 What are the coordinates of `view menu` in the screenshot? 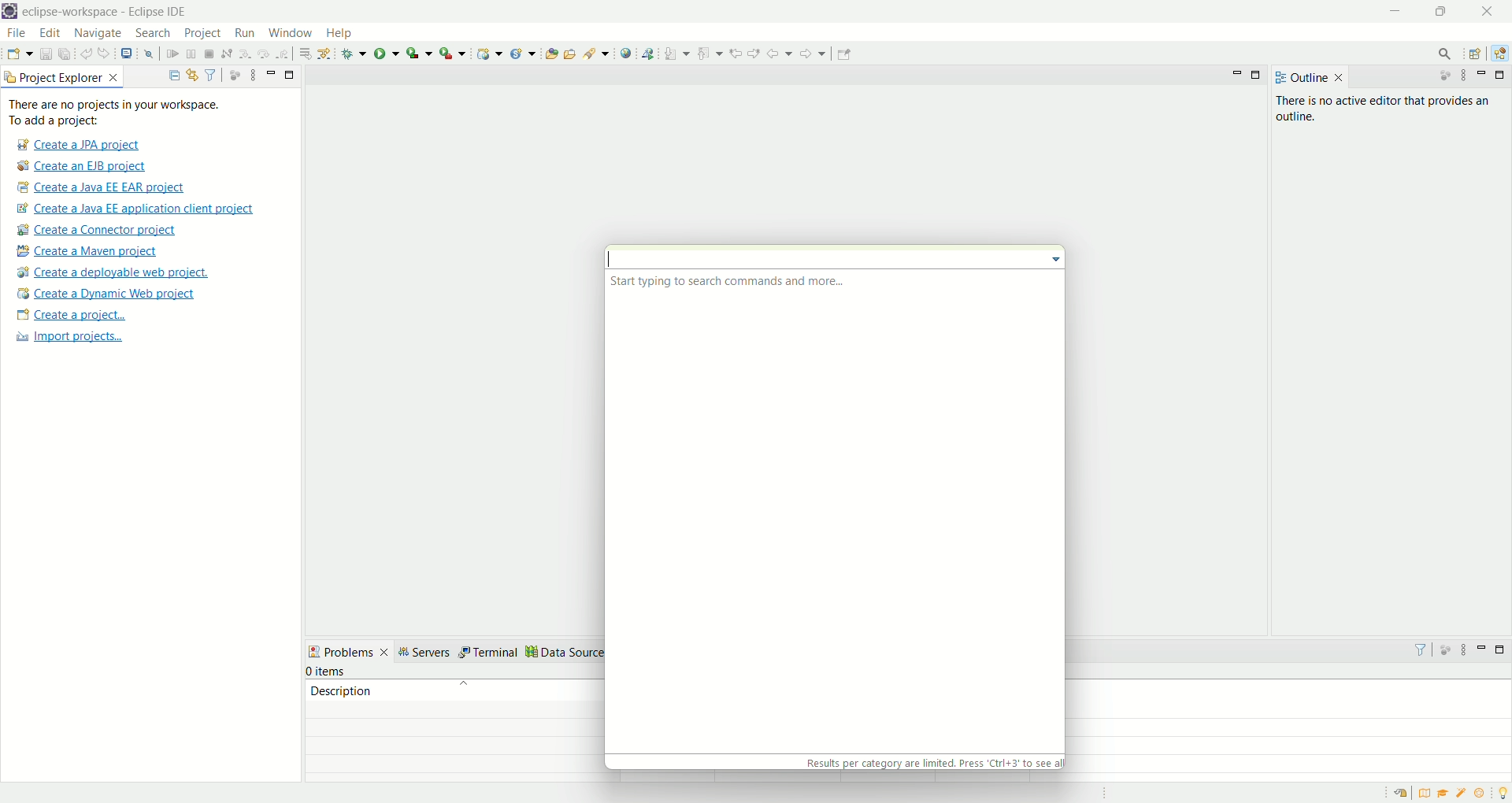 It's located at (1466, 648).